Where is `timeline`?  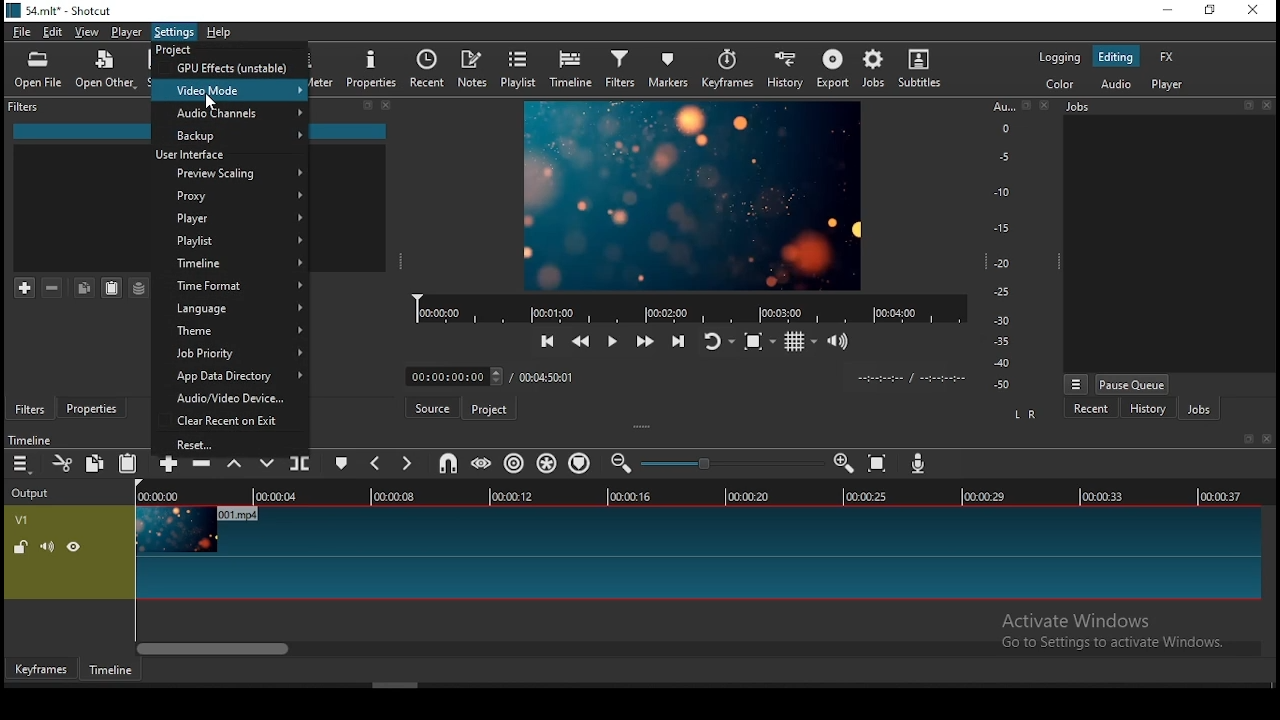 timeline is located at coordinates (231, 266).